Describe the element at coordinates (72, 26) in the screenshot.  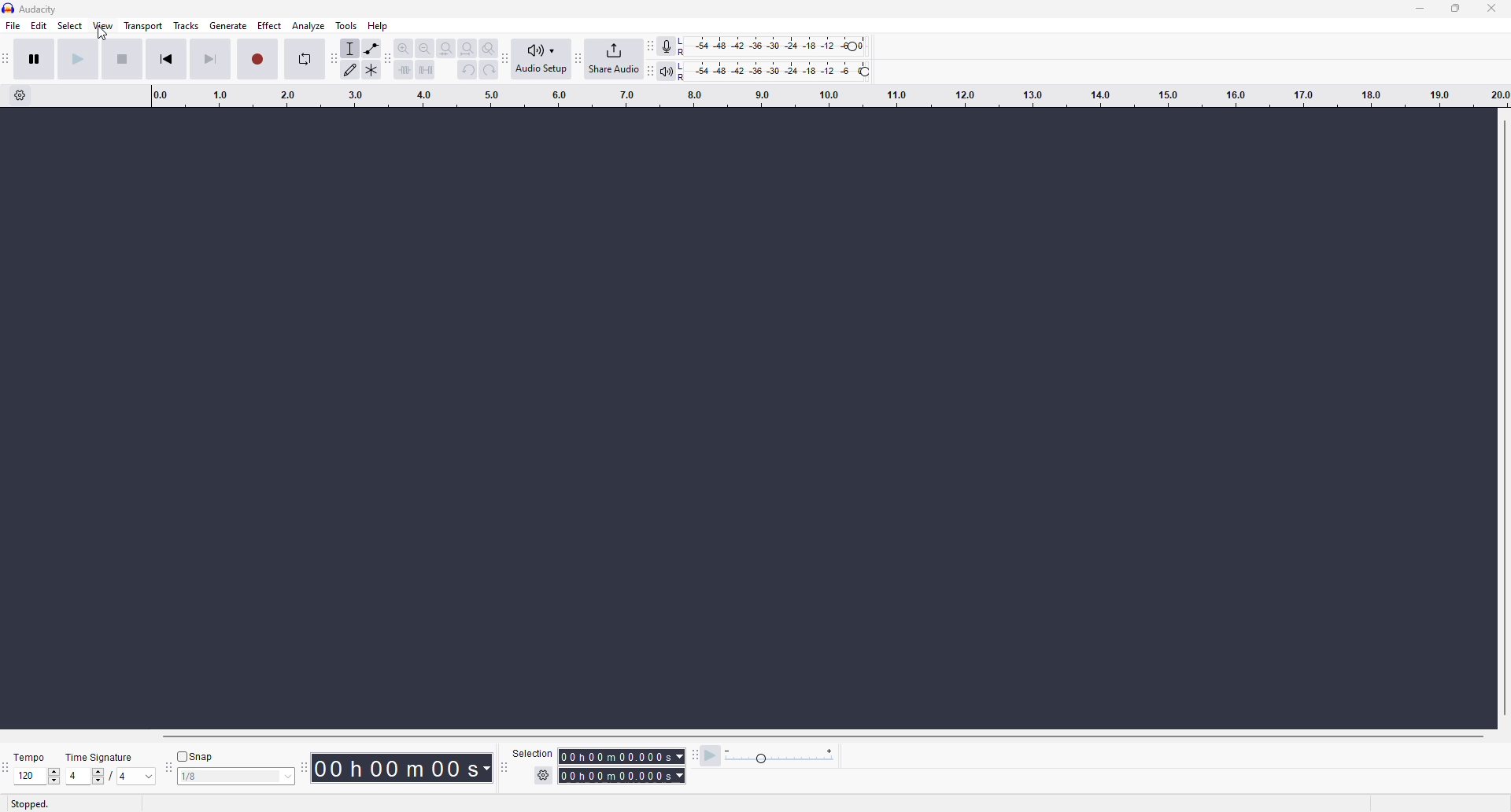
I see `select` at that location.